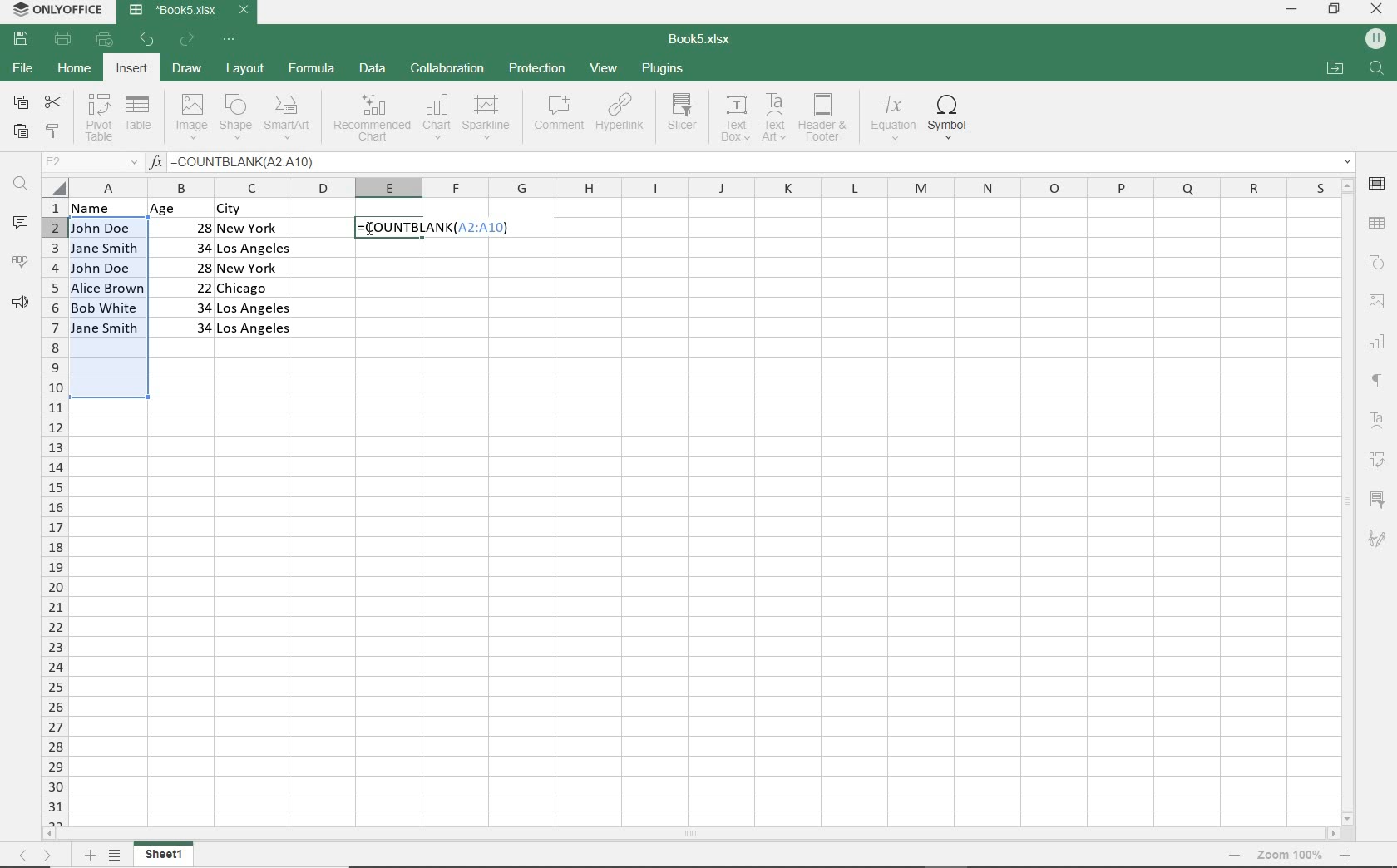 The width and height of the screenshot is (1397, 868). What do you see at coordinates (256, 308) in the screenshot?
I see `Los Angeles` at bounding box center [256, 308].